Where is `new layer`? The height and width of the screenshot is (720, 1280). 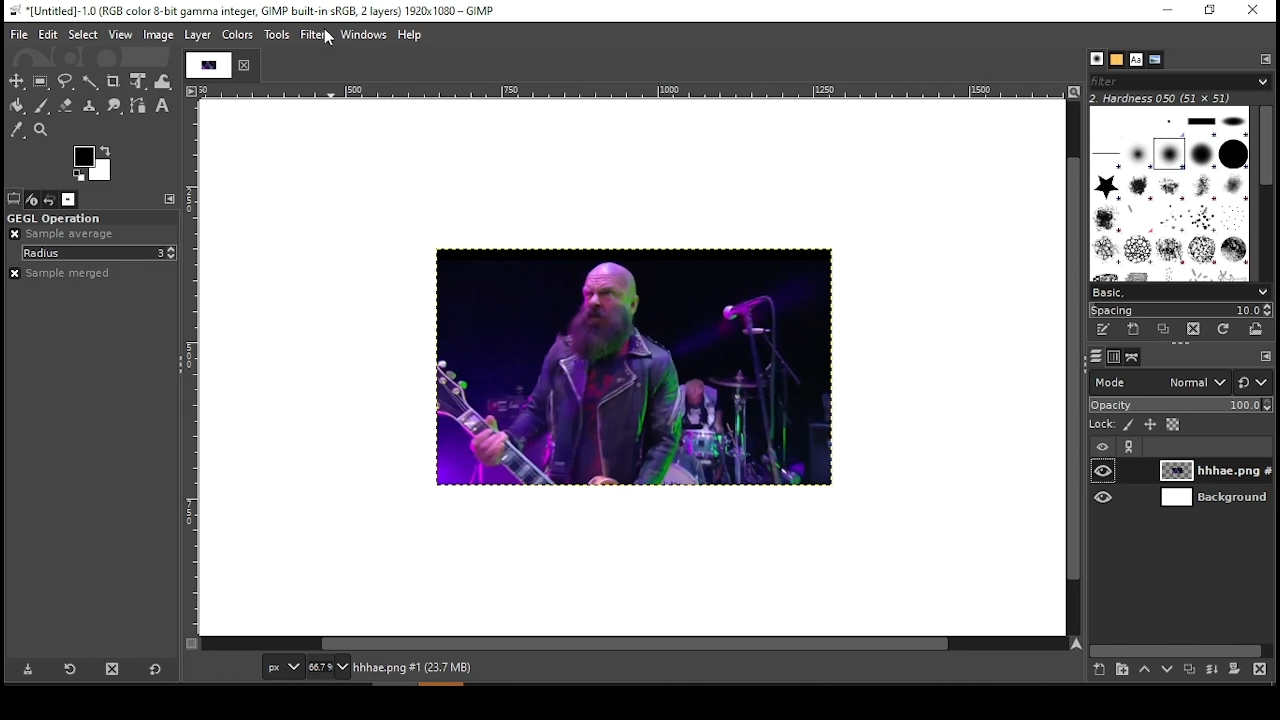
new layer is located at coordinates (1097, 672).